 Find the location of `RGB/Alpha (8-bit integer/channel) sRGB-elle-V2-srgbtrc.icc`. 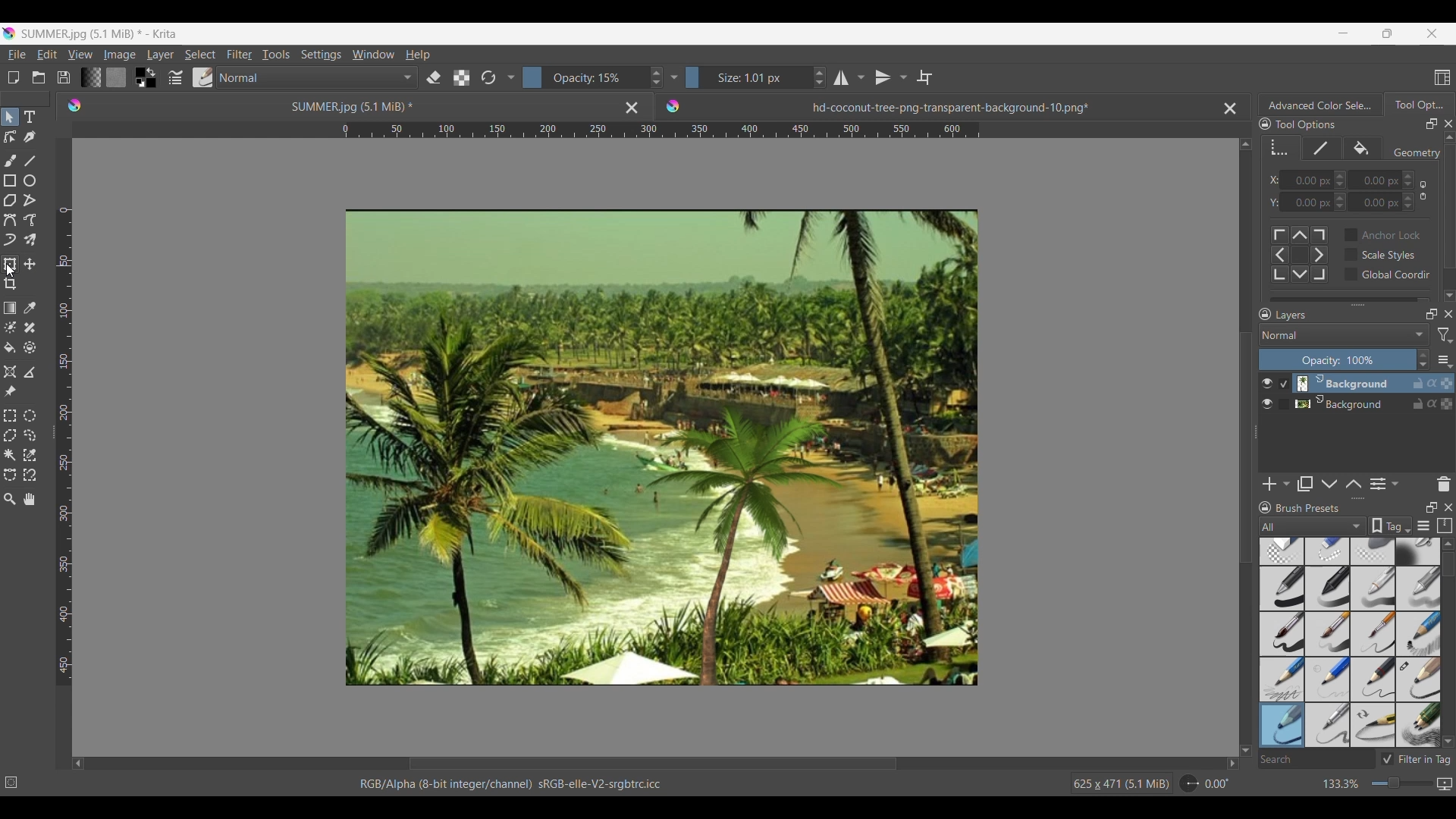

RGB/Alpha (8-bit integer/channel) sRGB-elle-V2-srgbtrc.icc is located at coordinates (518, 784).